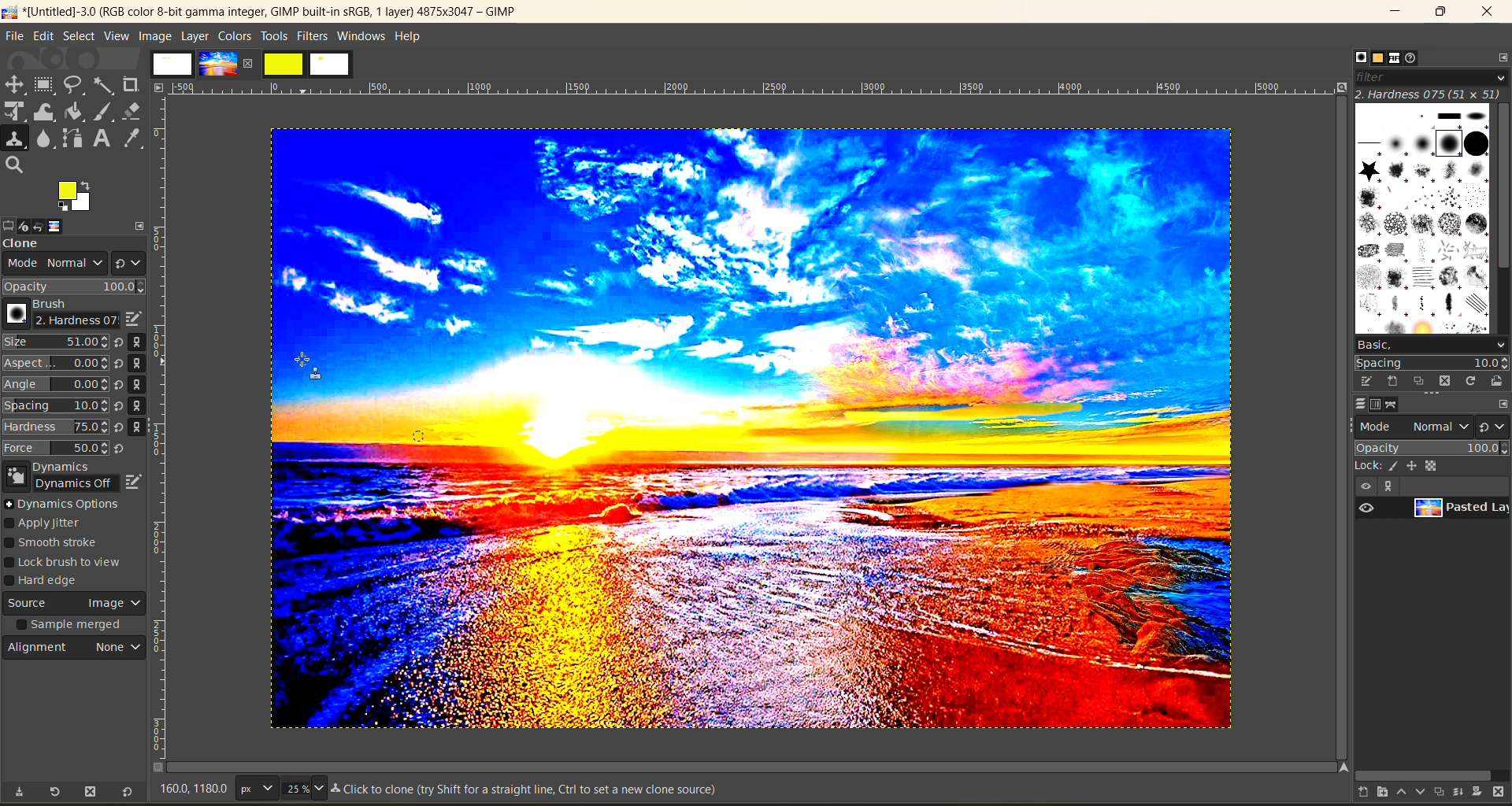  Describe the element at coordinates (1423, 773) in the screenshot. I see `horizontal scroll bar` at that location.